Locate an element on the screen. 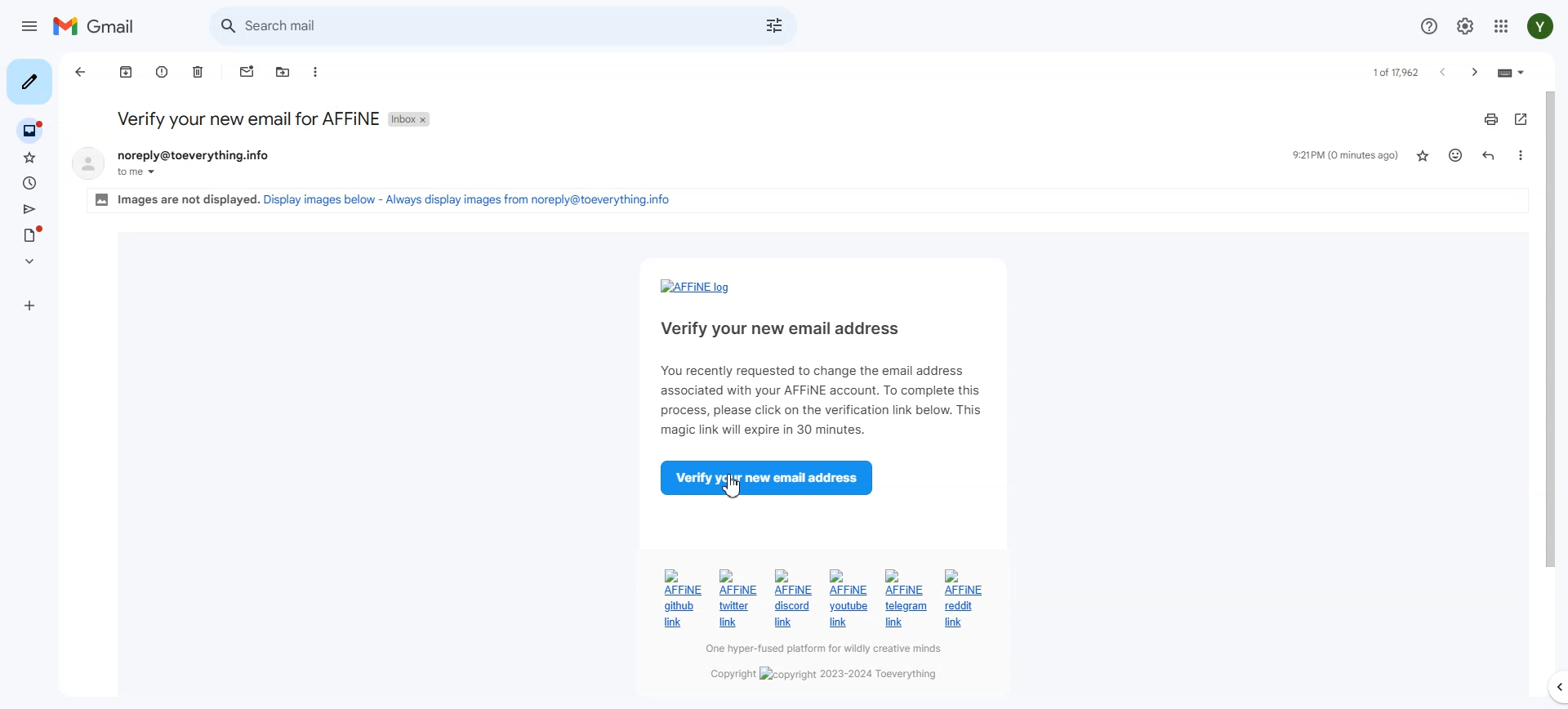 This screenshot has width=1568, height=709. snoozed is located at coordinates (29, 183).